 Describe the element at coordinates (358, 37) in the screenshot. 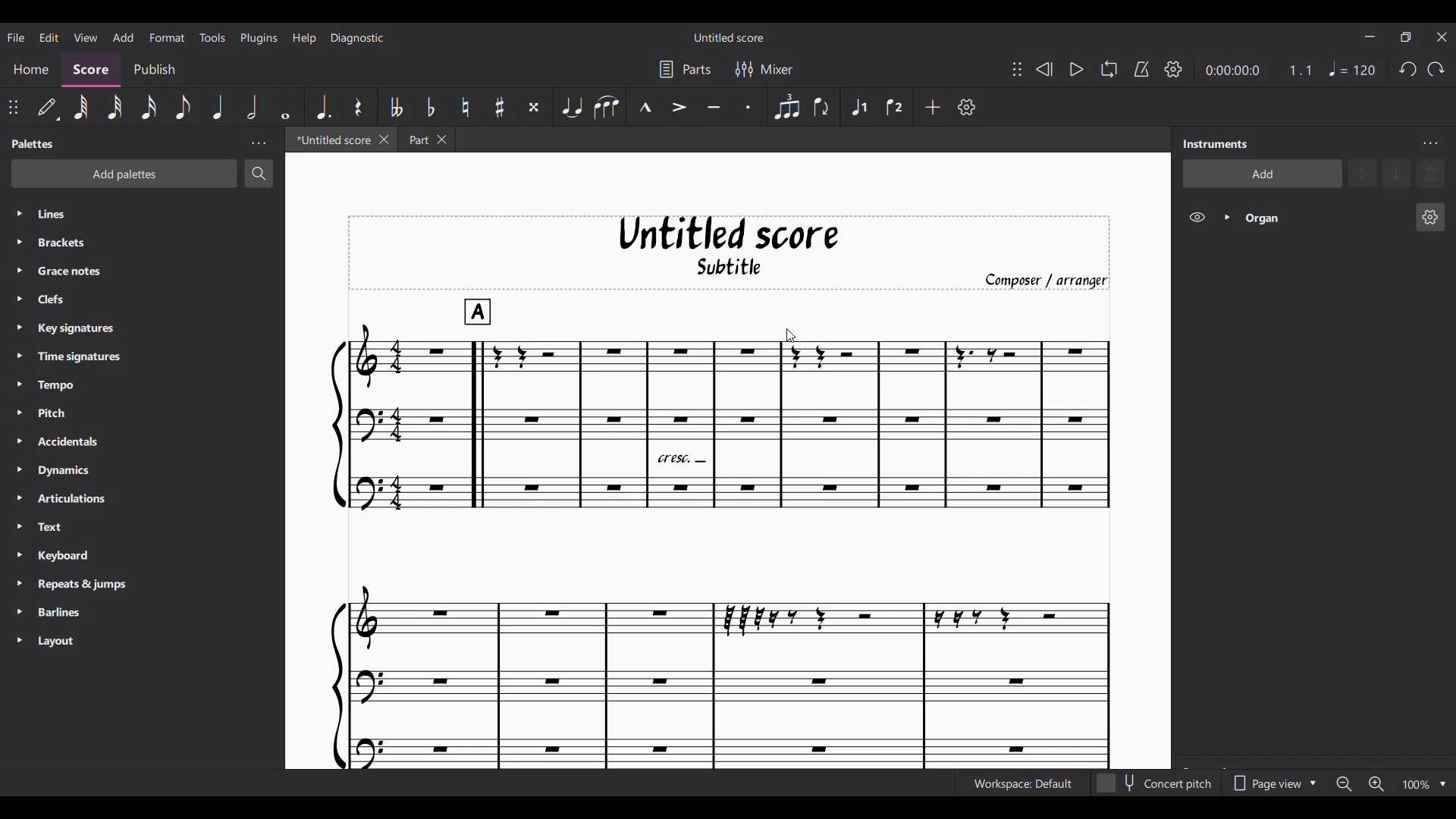

I see `Diagnostic menu` at that location.